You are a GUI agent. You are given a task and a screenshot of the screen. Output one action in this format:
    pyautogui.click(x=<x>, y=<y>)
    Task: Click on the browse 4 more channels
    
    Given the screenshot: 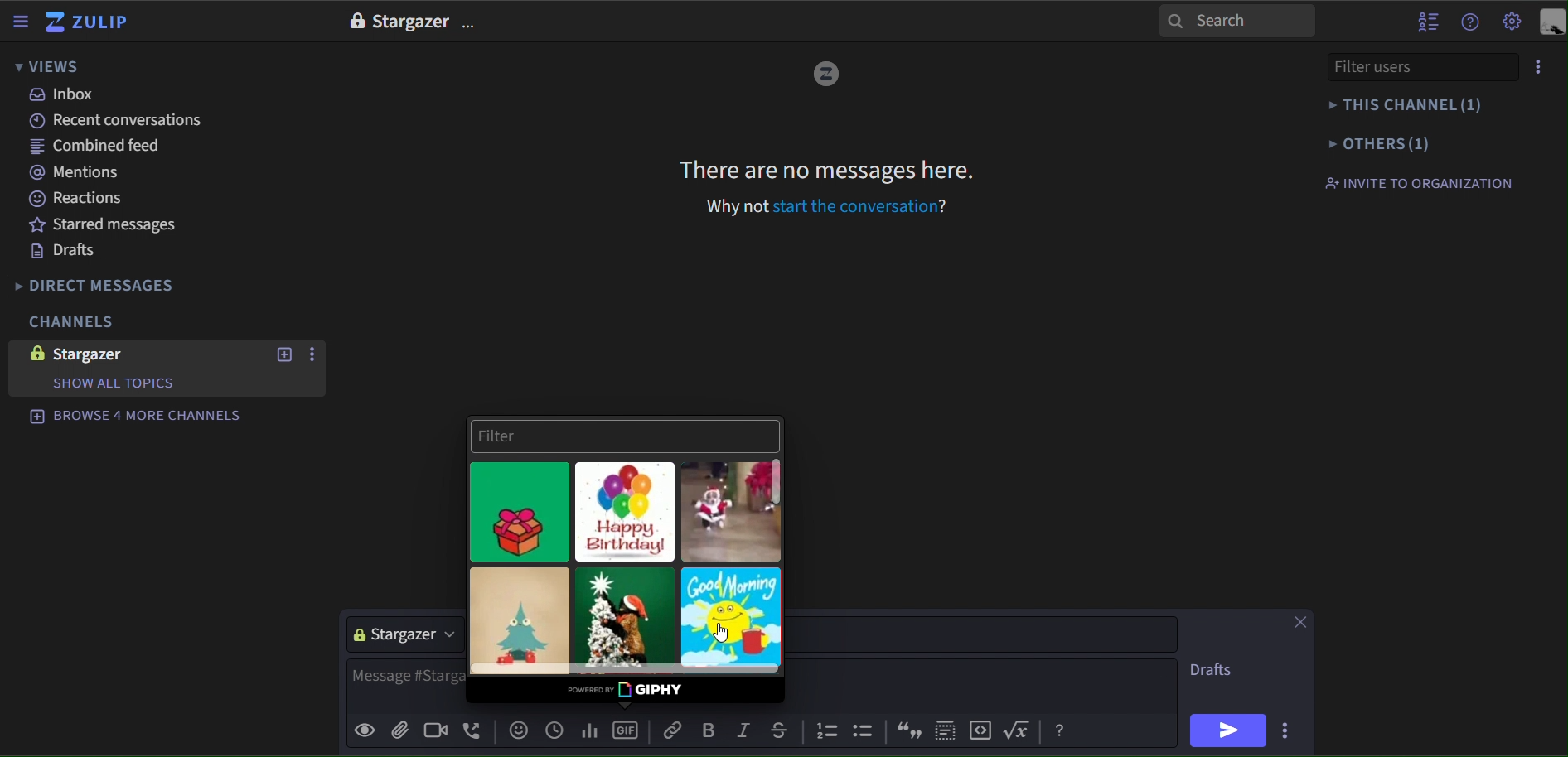 What is the action you would take?
    pyautogui.click(x=136, y=414)
    